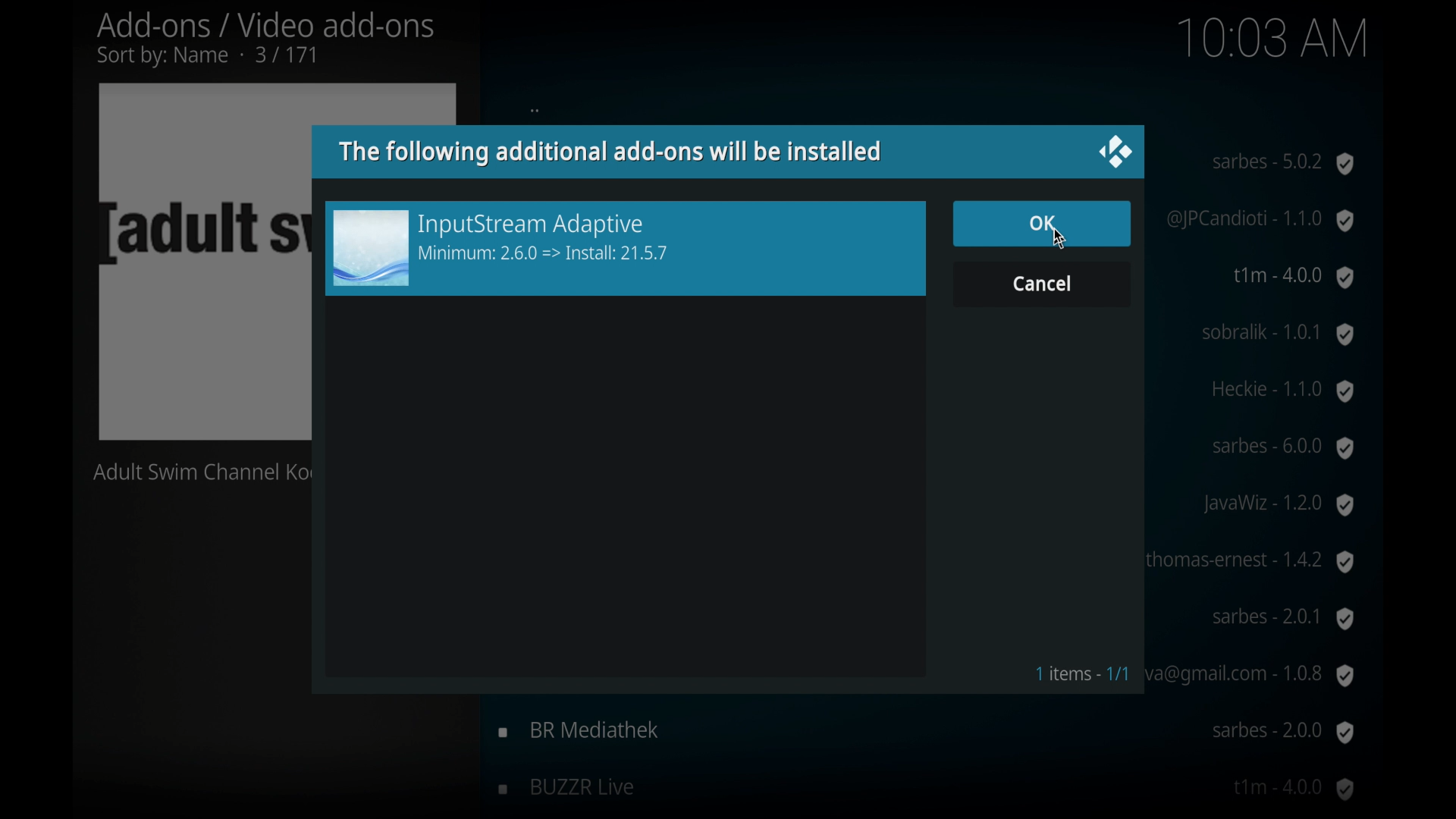  What do you see at coordinates (1261, 166) in the screenshot?
I see `3sat` at bounding box center [1261, 166].